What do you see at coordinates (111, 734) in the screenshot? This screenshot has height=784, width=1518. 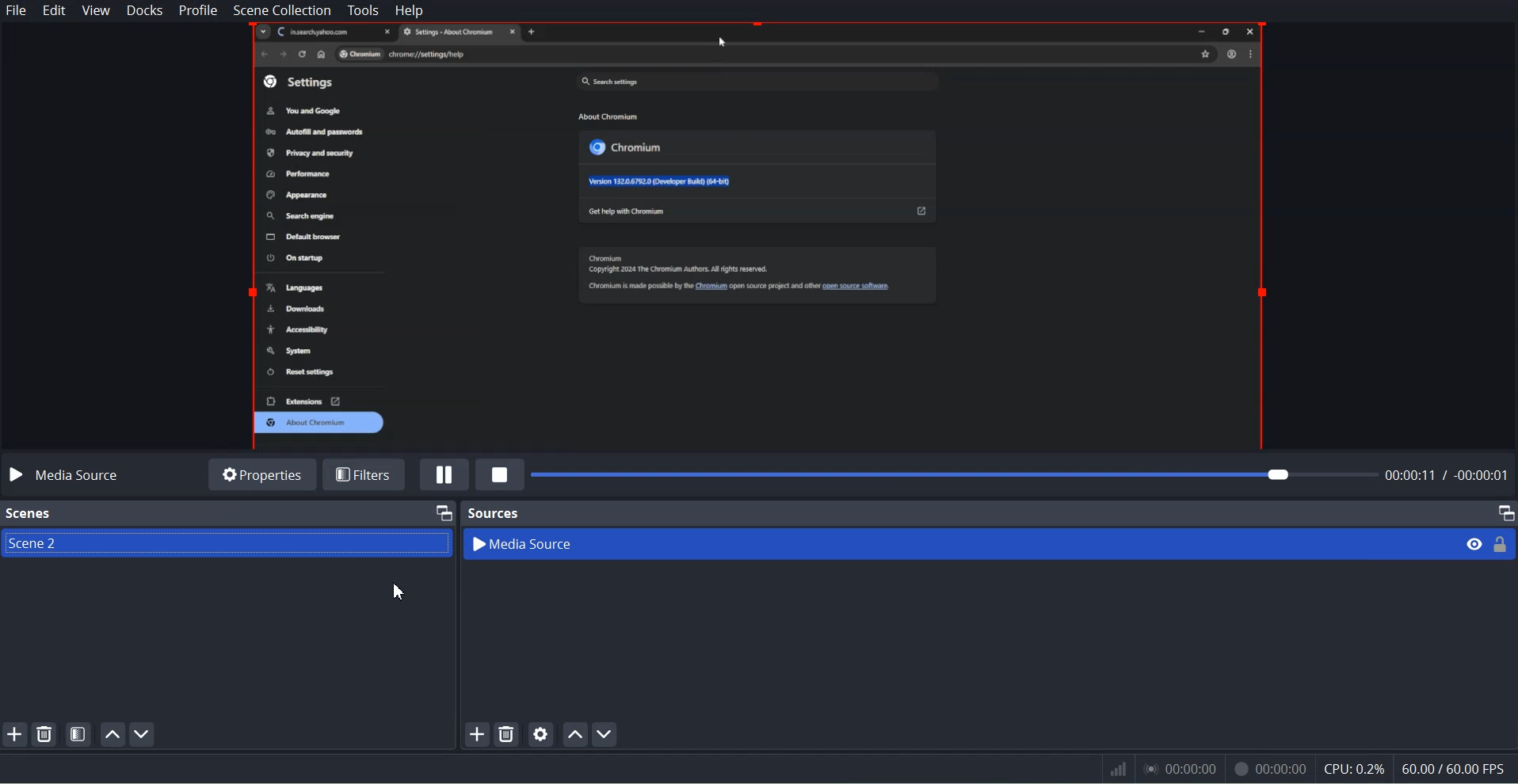 I see `Move Scene up` at bounding box center [111, 734].